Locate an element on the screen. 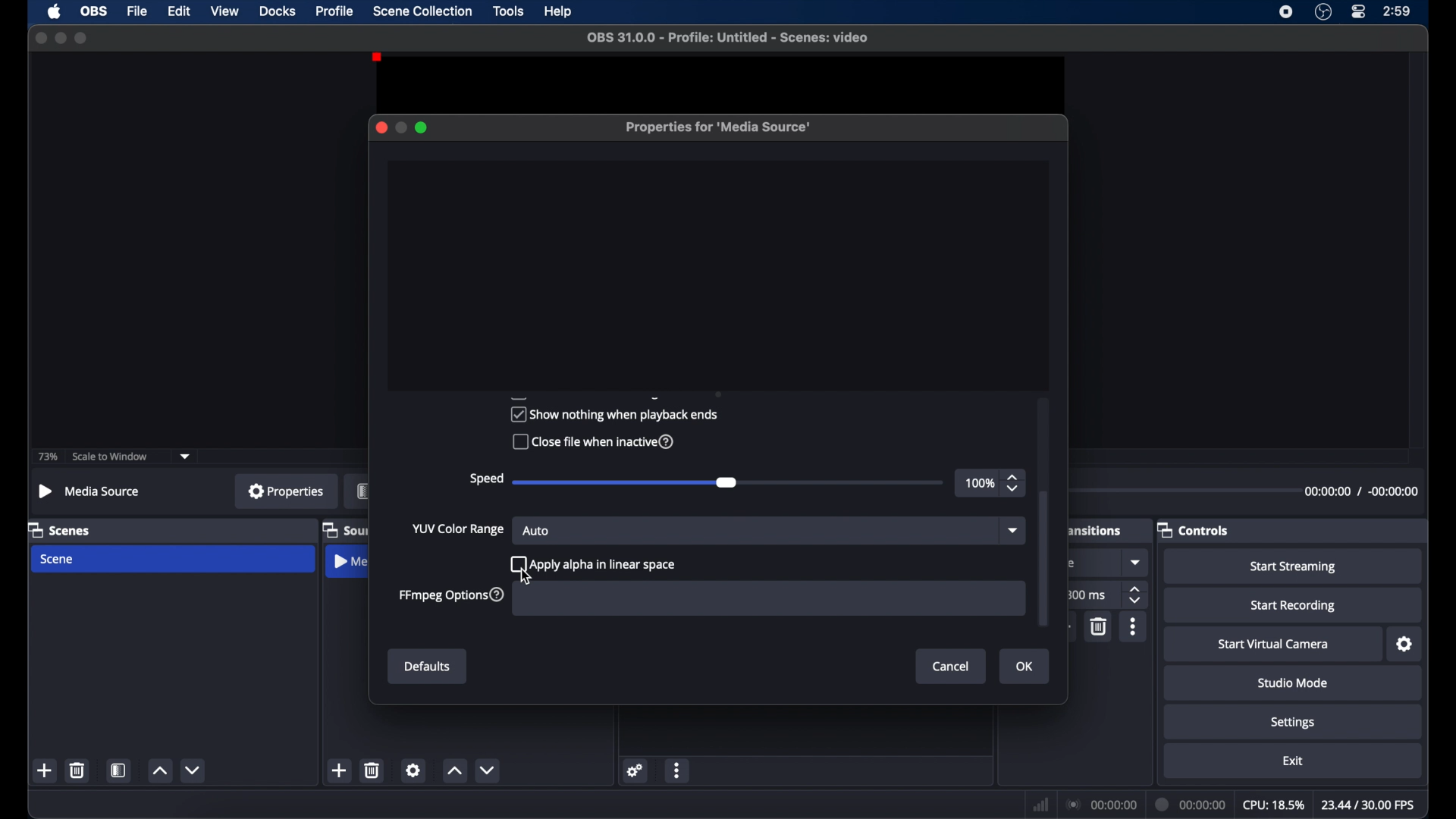  edit is located at coordinates (179, 12).